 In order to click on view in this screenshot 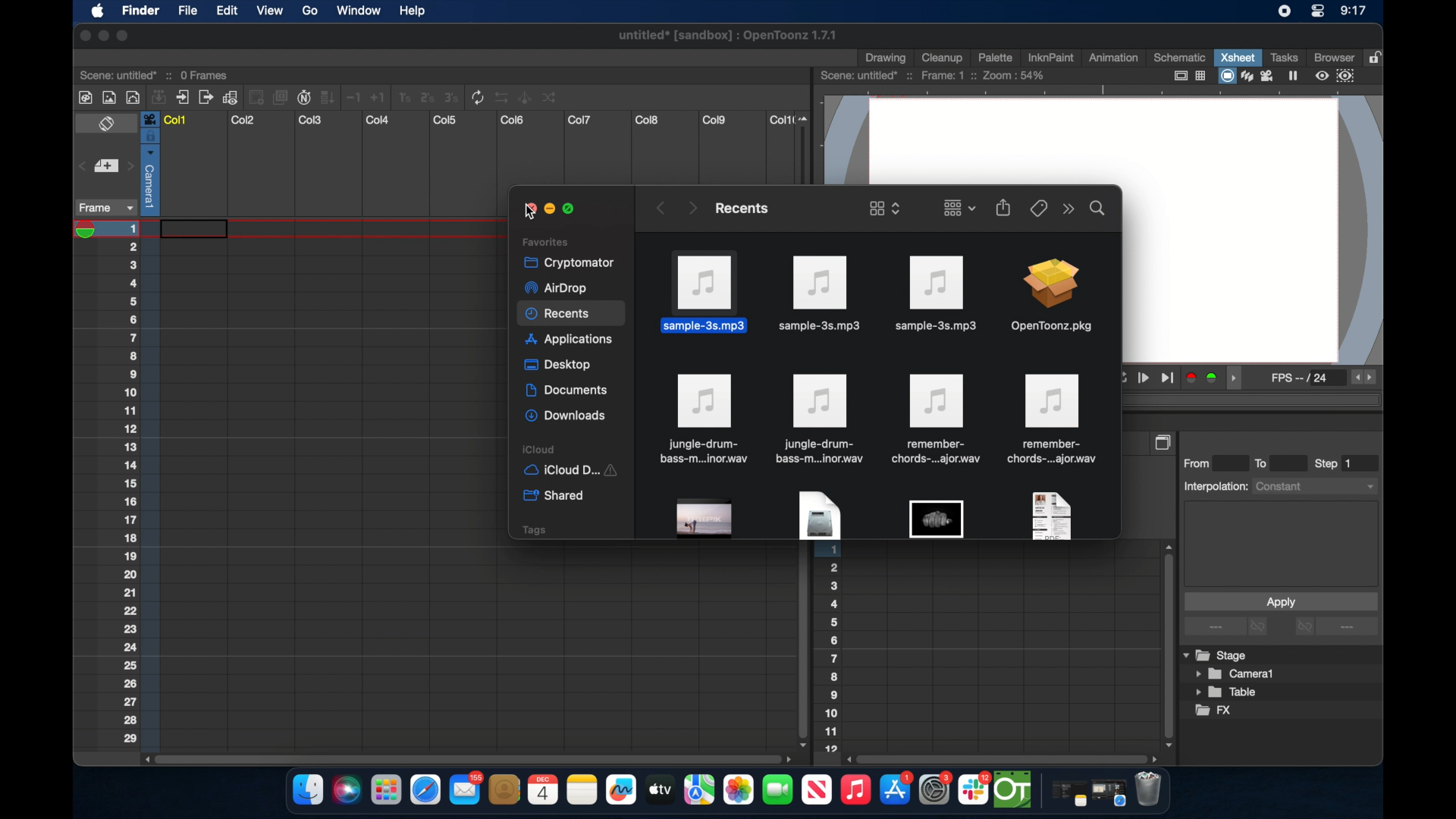, I will do `click(268, 11)`.